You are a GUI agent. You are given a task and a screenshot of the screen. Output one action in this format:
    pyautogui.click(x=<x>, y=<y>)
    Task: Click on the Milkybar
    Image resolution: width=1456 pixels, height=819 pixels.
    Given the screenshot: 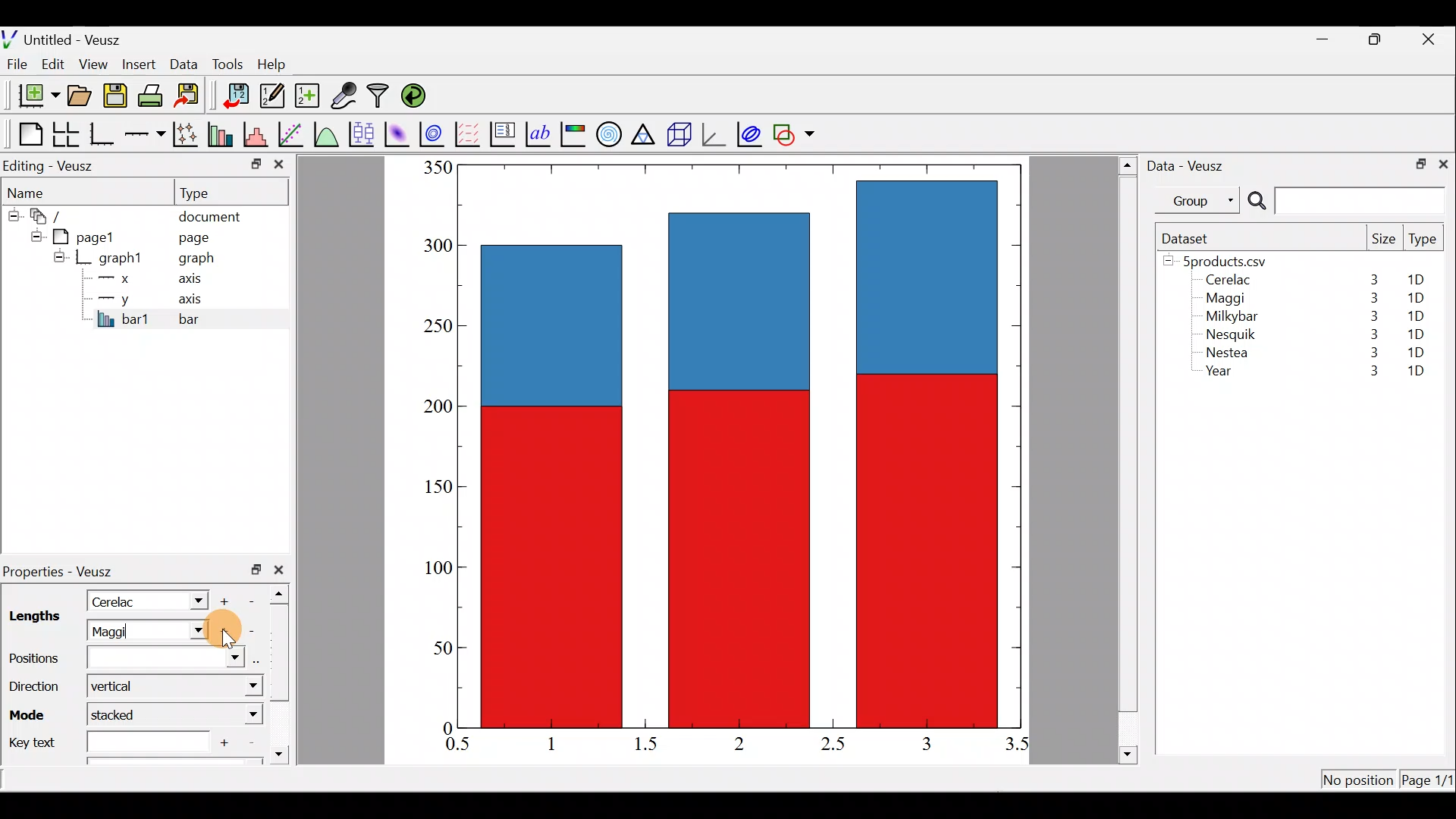 What is the action you would take?
    pyautogui.click(x=1228, y=318)
    